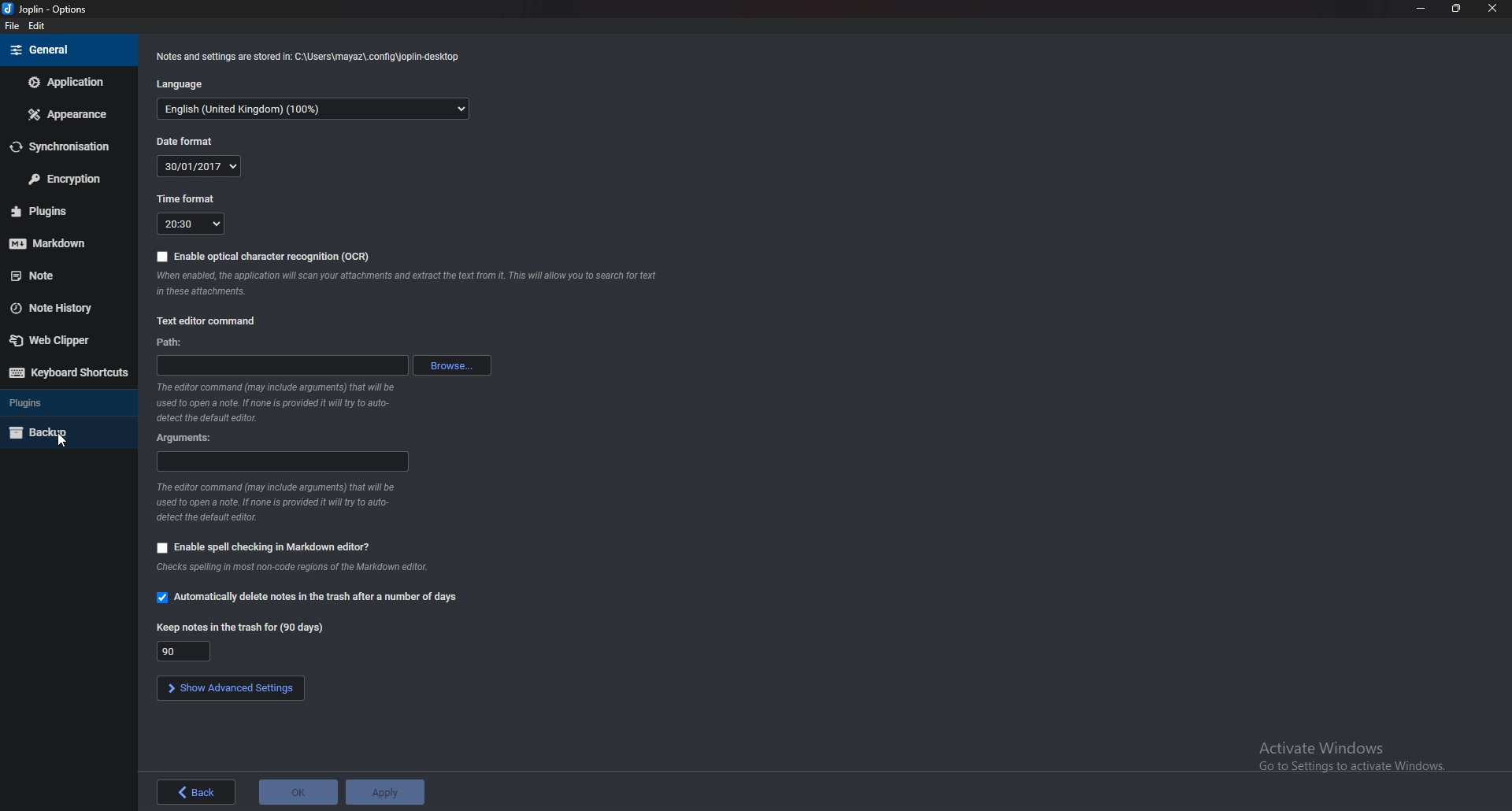 The height and width of the screenshot is (811, 1512). I want to click on Application, so click(69, 82).